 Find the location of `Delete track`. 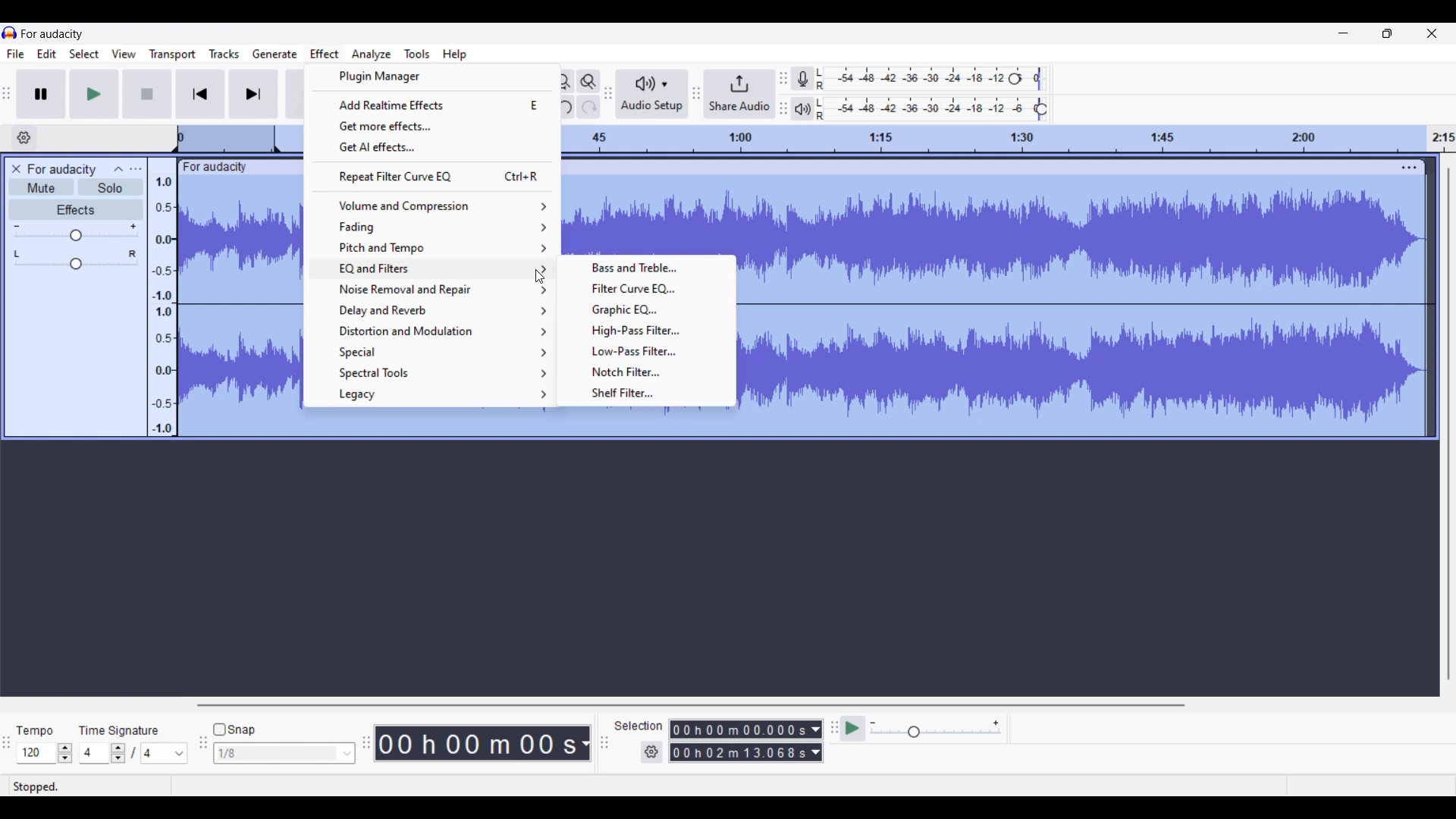

Delete track is located at coordinates (18, 169).